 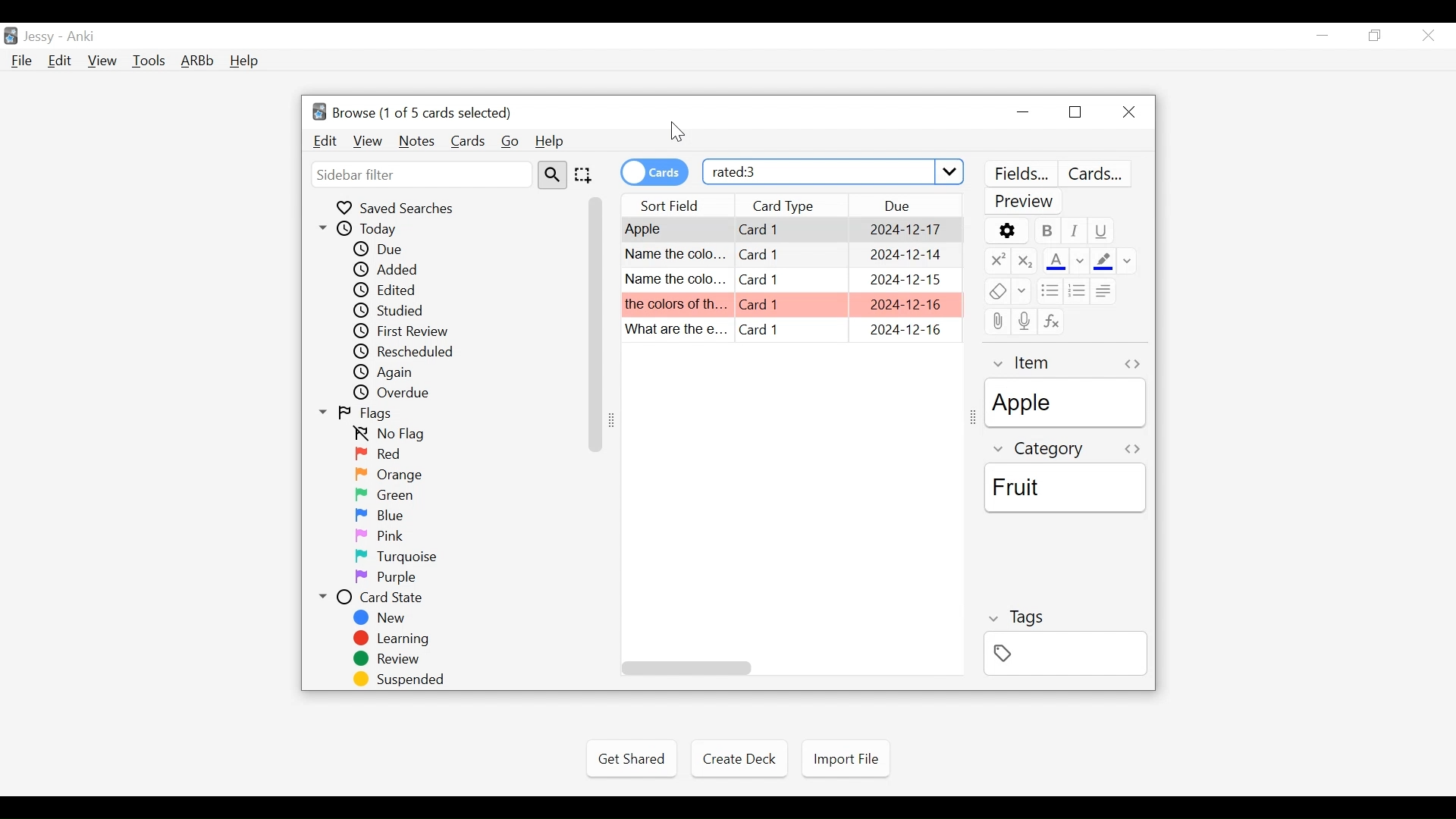 What do you see at coordinates (1106, 290) in the screenshot?
I see `Alignment` at bounding box center [1106, 290].